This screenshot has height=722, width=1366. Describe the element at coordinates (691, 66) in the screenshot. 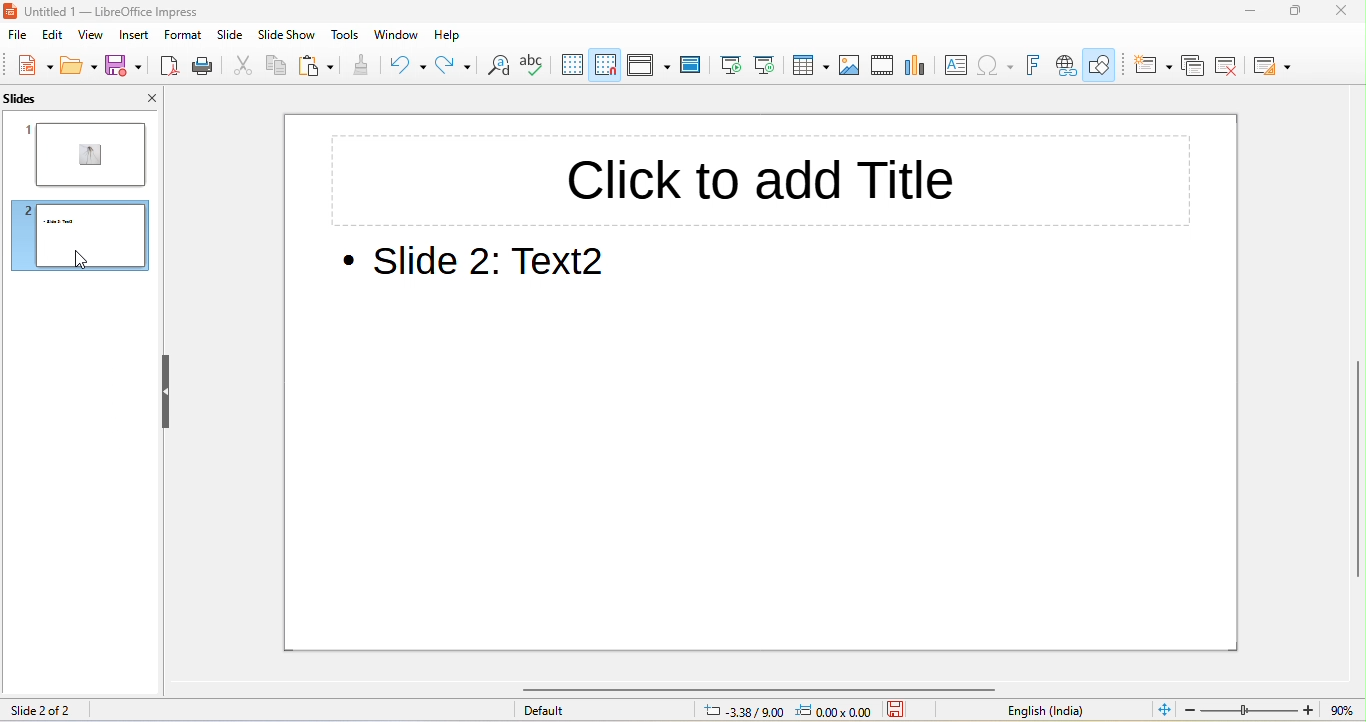

I see `master slide` at that location.